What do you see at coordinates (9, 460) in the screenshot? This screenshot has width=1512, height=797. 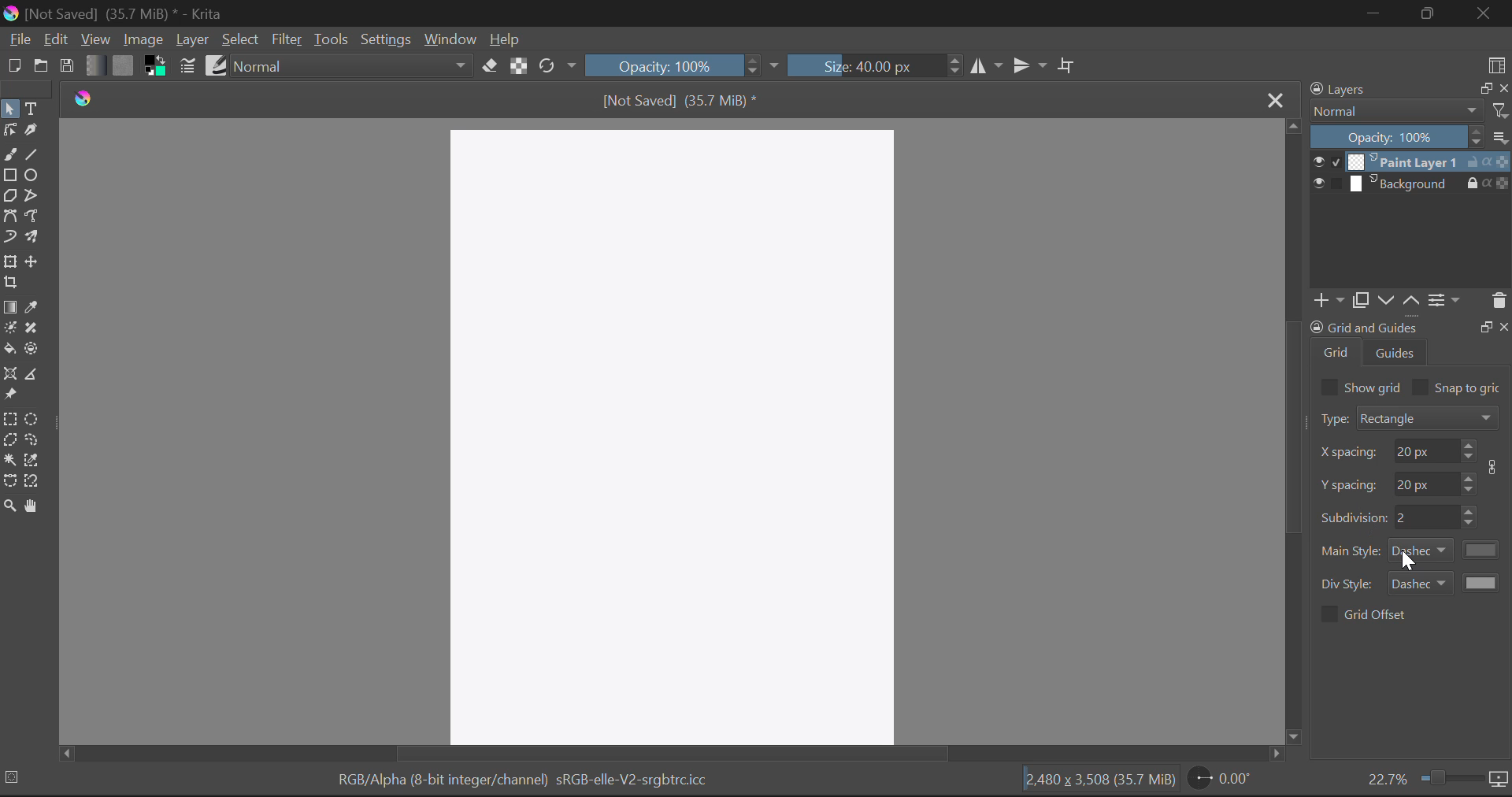 I see `Continuous Selection` at bounding box center [9, 460].